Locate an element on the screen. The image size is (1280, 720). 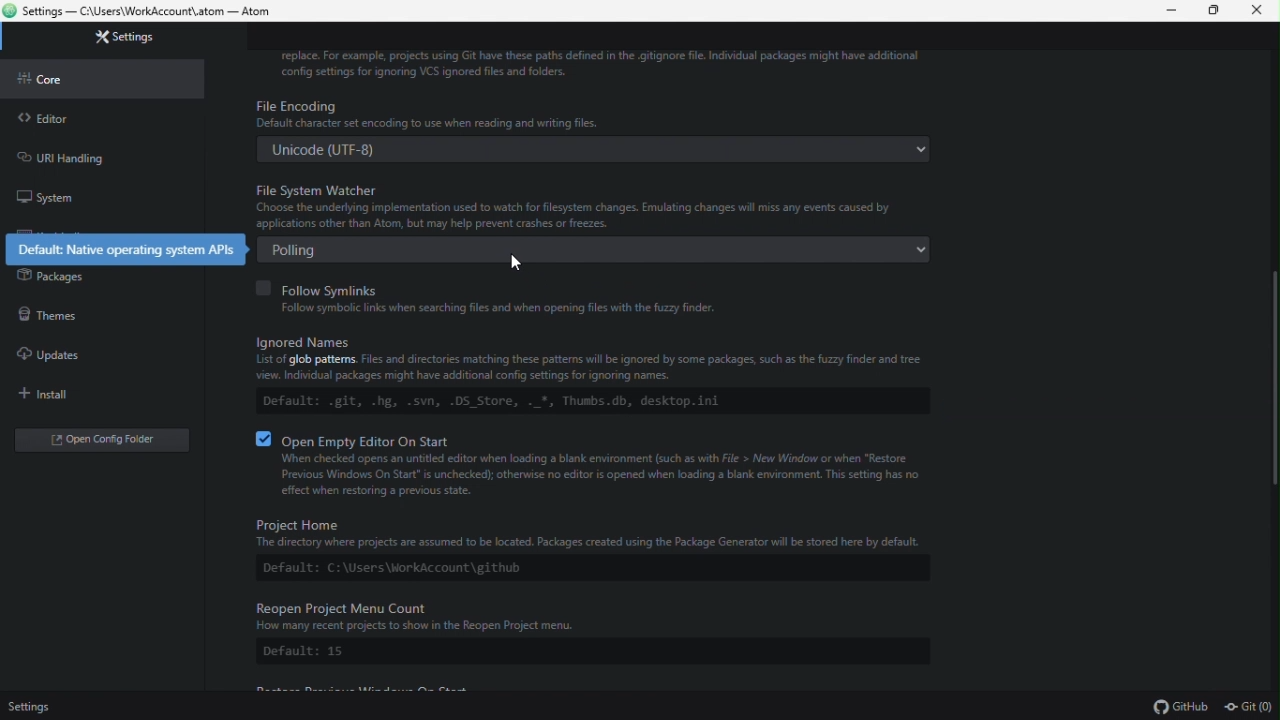
Packages is located at coordinates (94, 277).